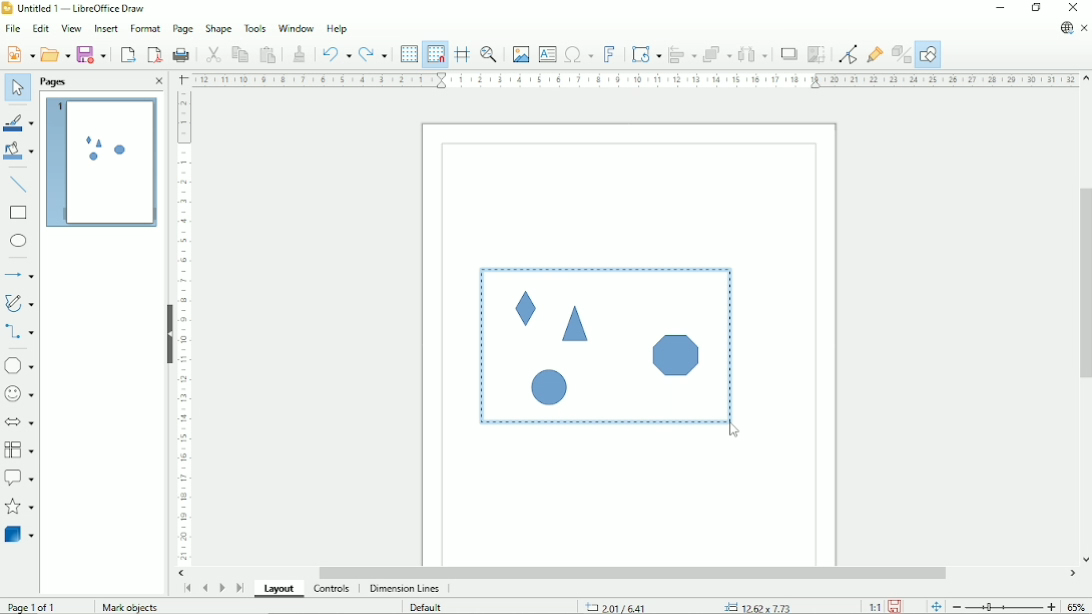 The width and height of the screenshot is (1092, 614). Describe the element at coordinates (240, 587) in the screenshot. I see `Scroll to last page` at that location.